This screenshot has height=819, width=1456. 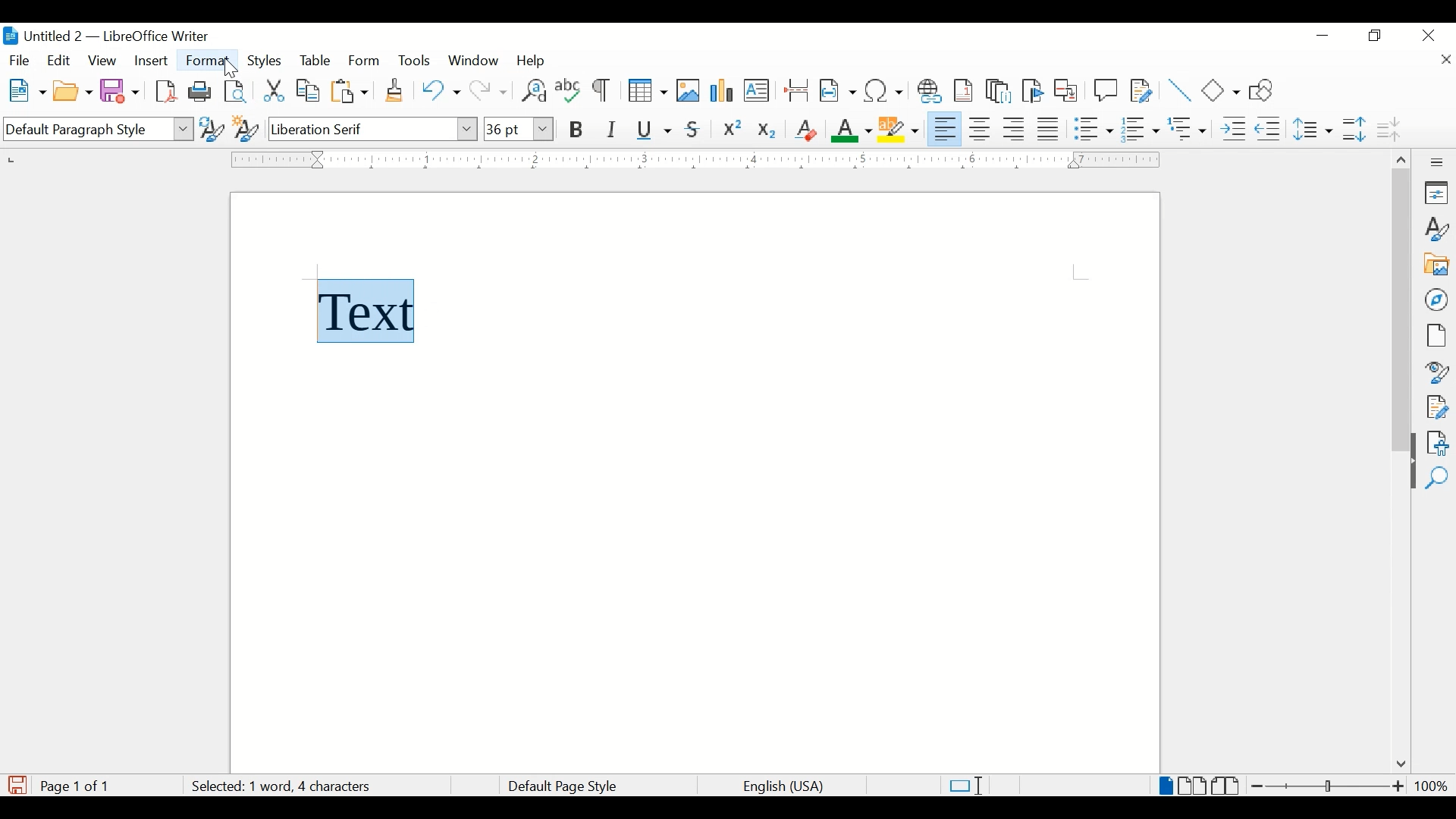 What do you see at coordinates (1094, 128) in the screenshot?
I see `toggle unordered list` at bounding box center [1094, 128].